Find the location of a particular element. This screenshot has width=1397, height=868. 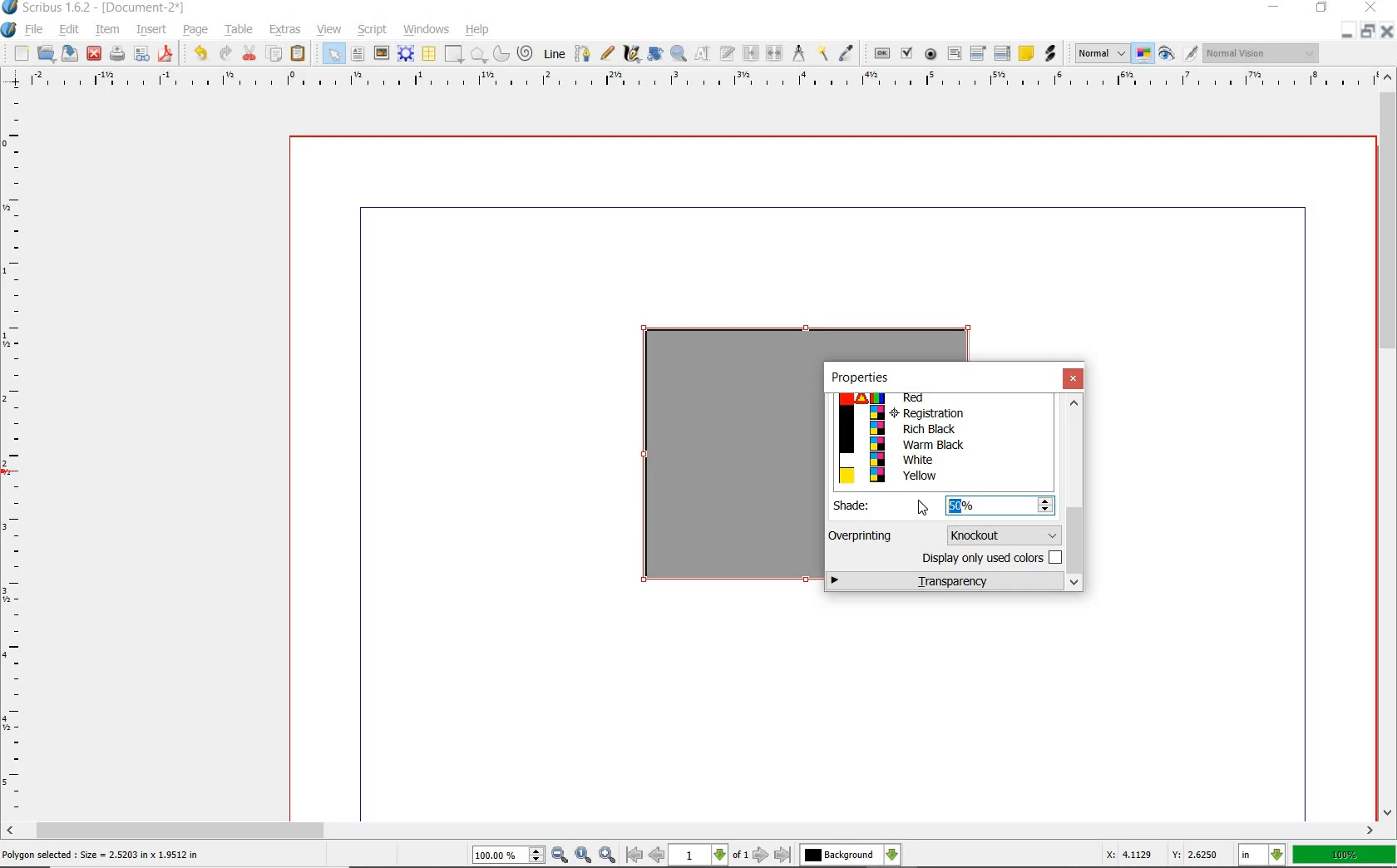

image frame is located at coordinates (383, 54).